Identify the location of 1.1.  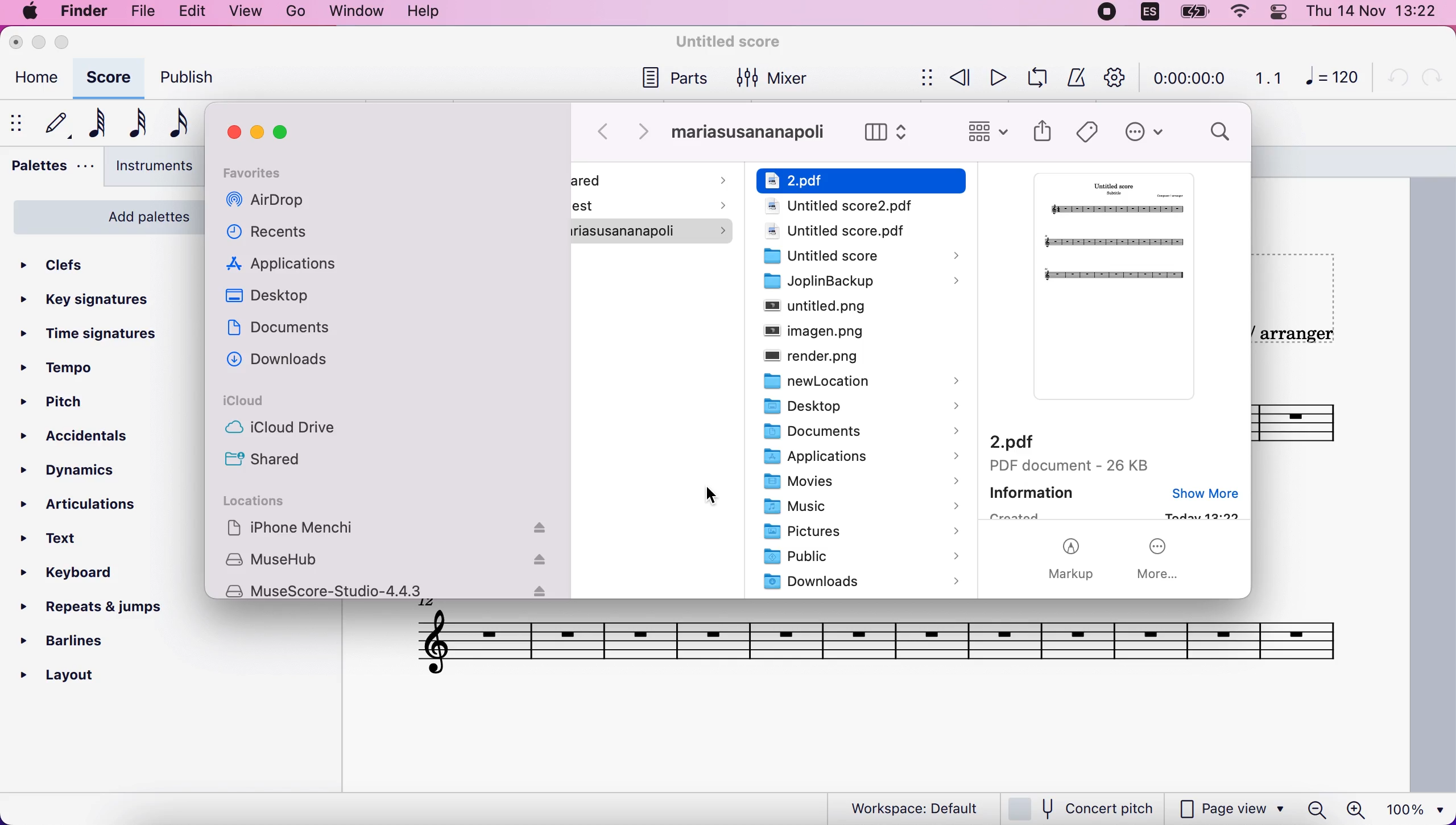
(1267, 79).